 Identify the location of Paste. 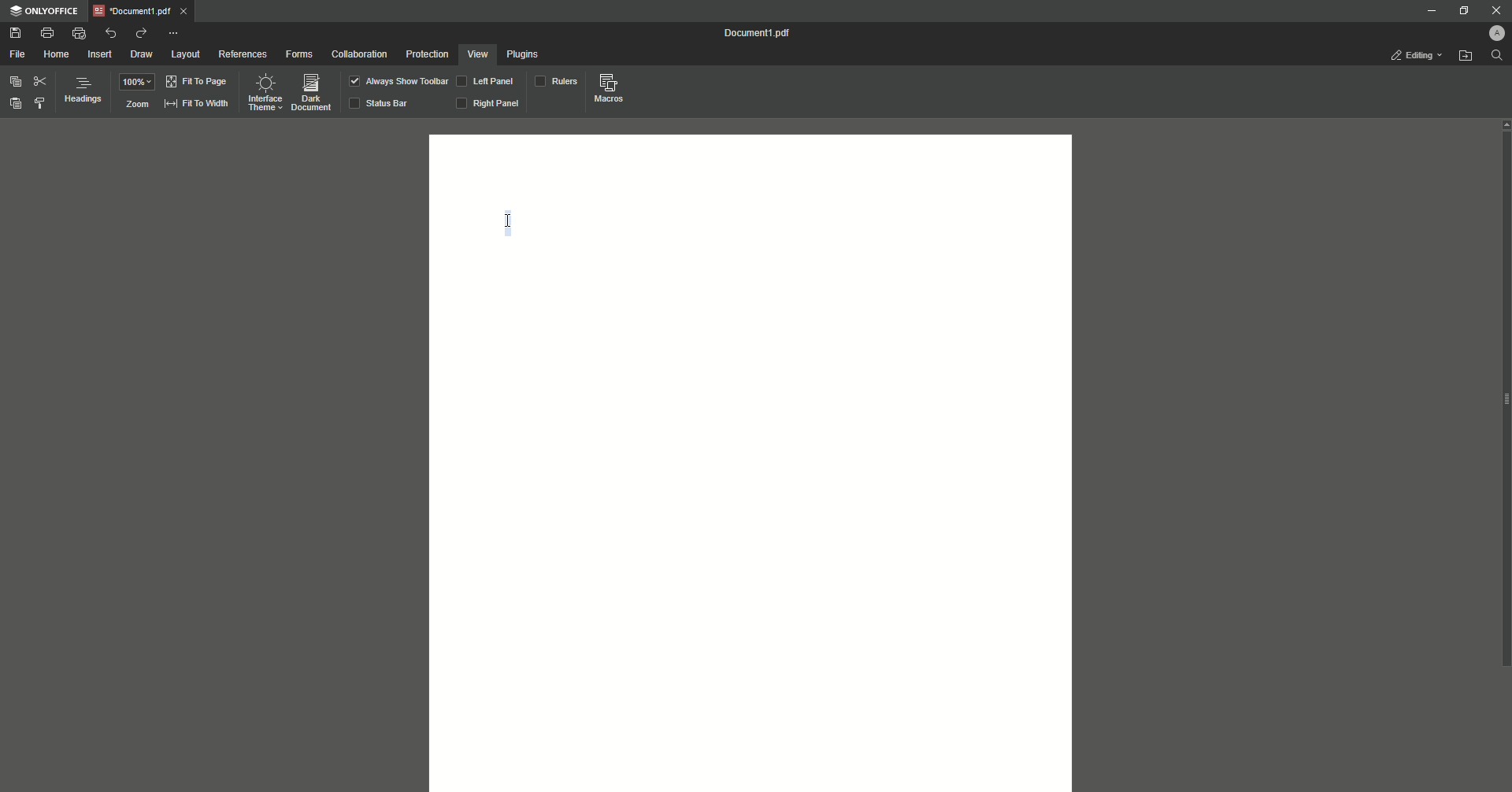
(17, 104).